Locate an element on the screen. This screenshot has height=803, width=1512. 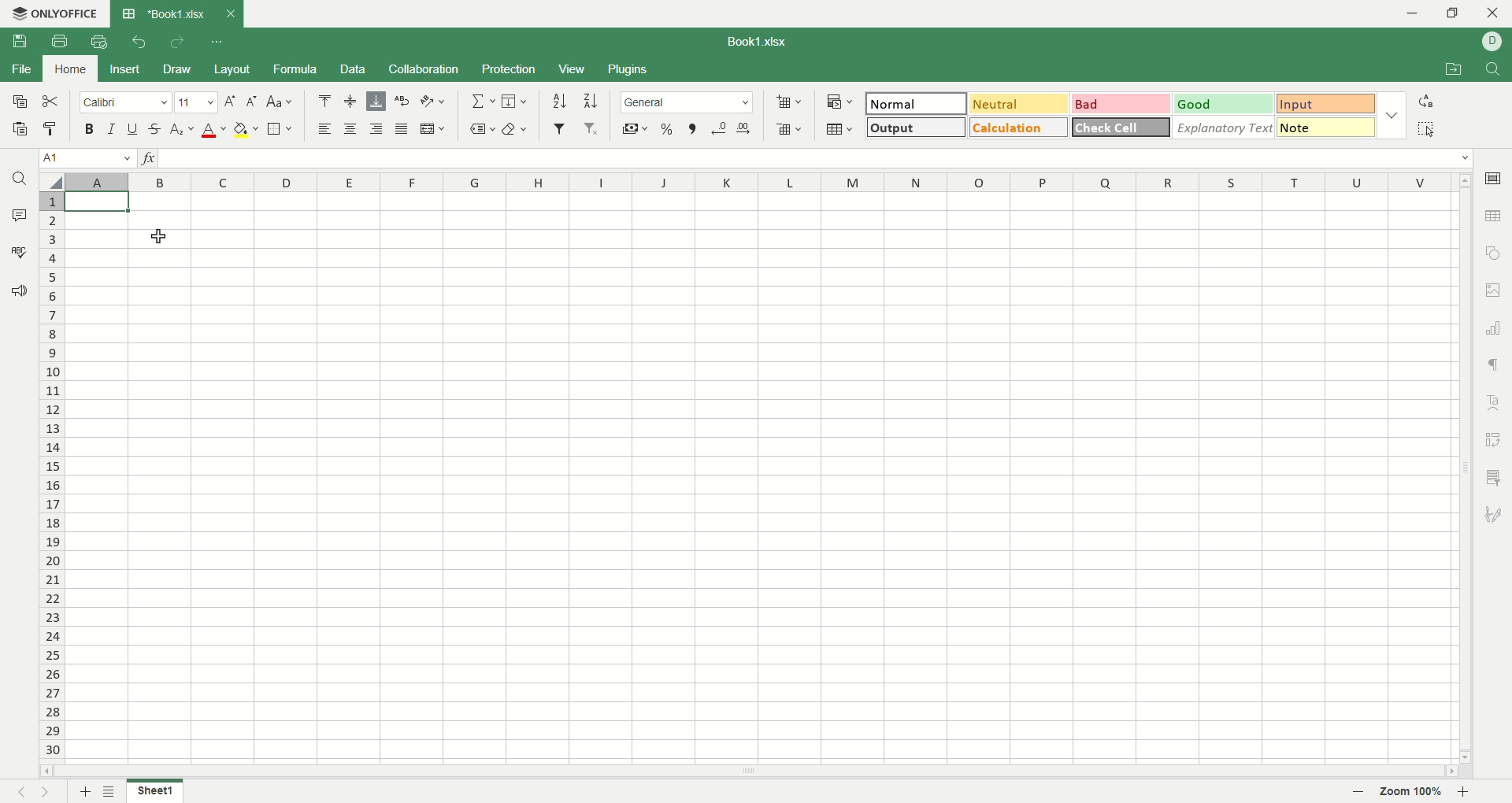
increase decimal is located at coordinates (744, 129).